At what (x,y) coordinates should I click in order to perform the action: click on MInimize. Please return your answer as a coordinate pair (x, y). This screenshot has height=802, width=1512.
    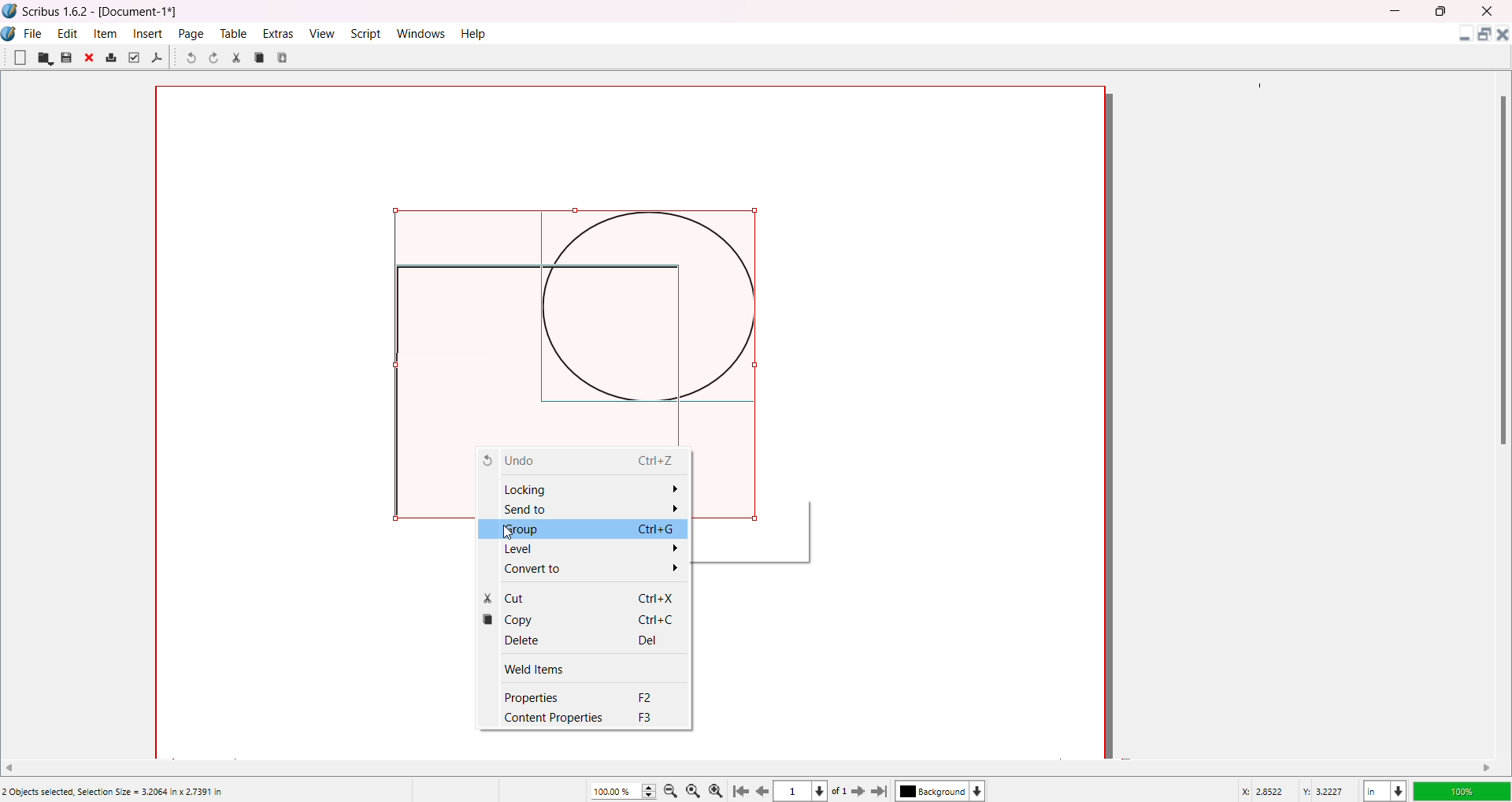
    Looking at the image, I should click on (1398, 11).